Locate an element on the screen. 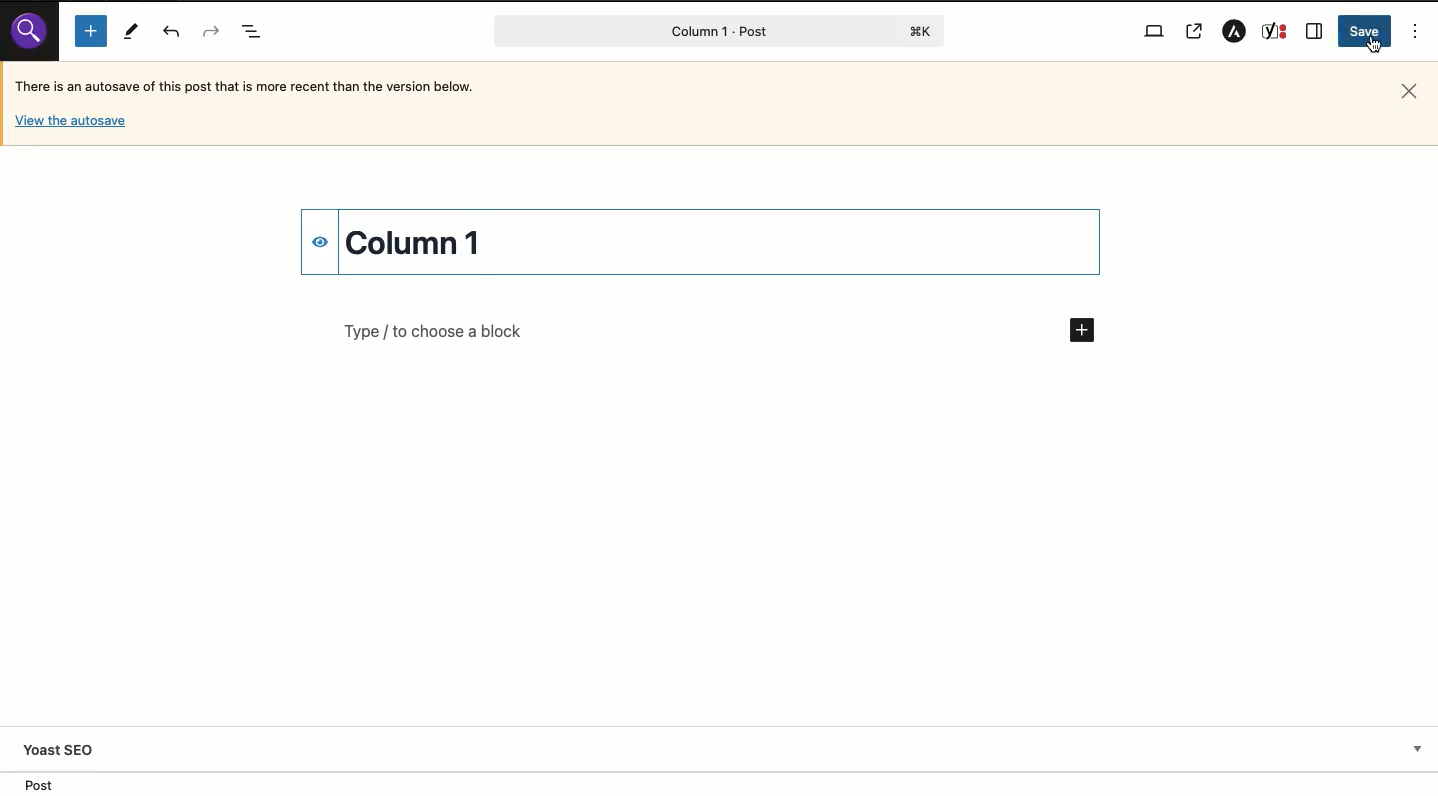 The image size is (1438, 796). Add new block is located at coordinates (91, 31).